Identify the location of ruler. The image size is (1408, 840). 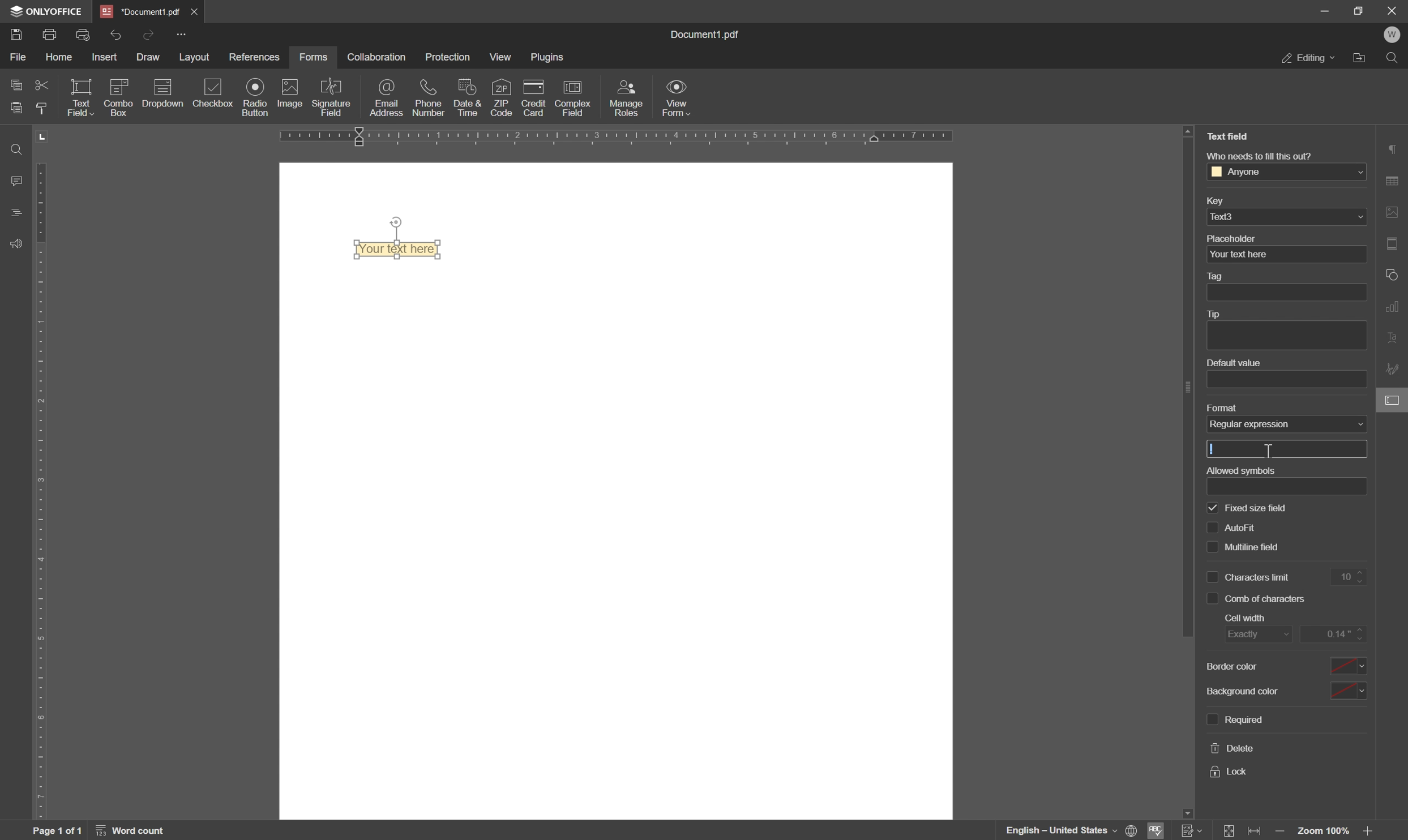
(45, 474).